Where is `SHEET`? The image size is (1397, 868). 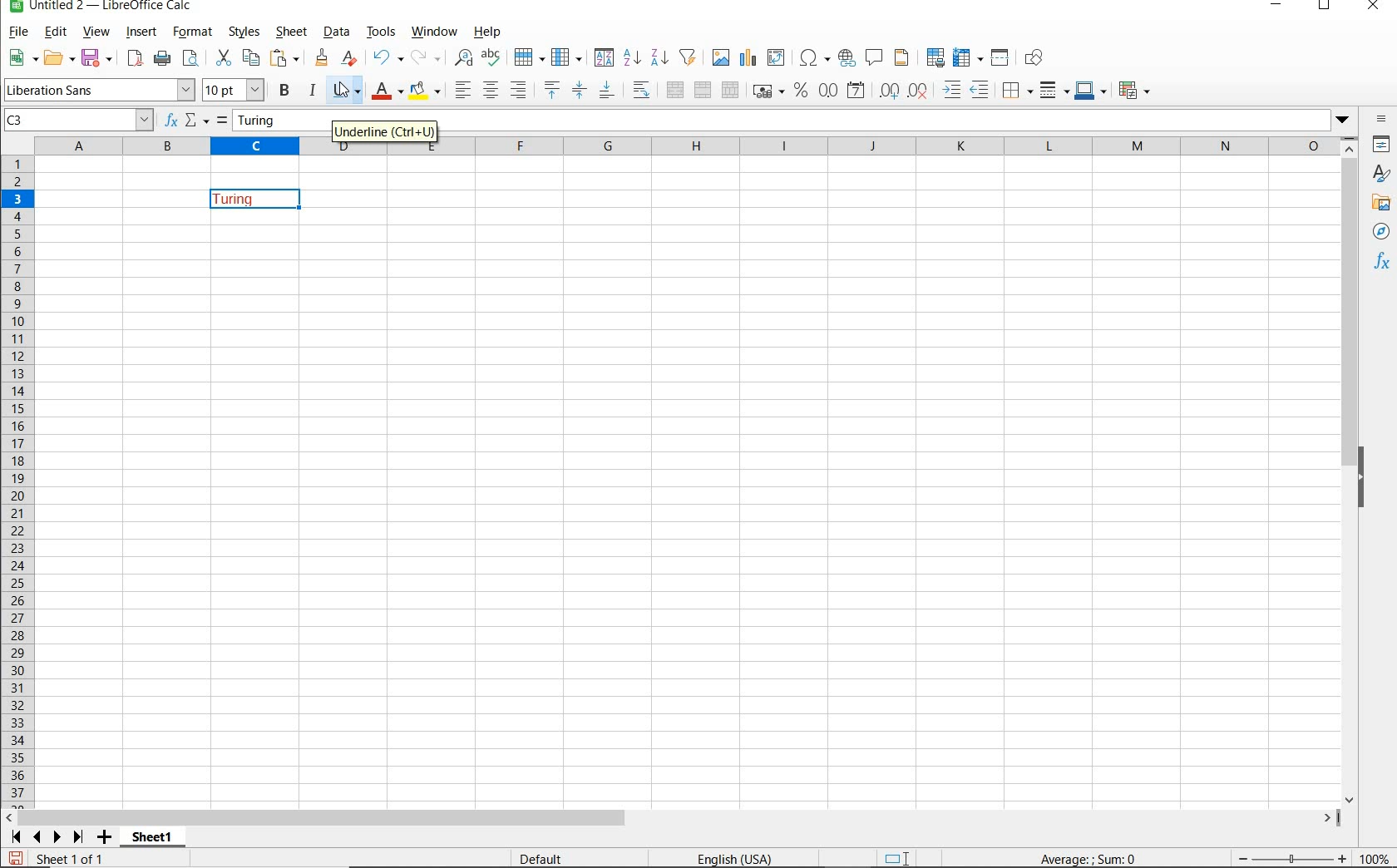 SHEET is located at coordinates (293, 33).